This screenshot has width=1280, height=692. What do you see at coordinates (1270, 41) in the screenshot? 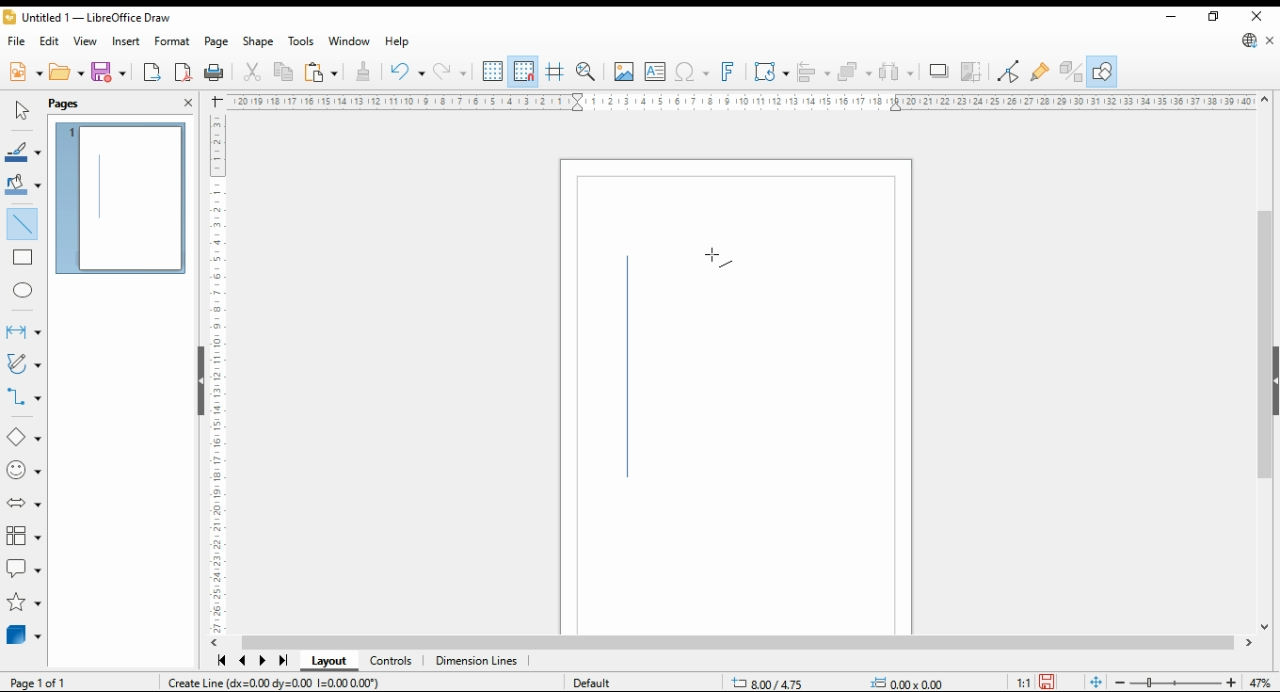
I see `close document` at bounding box center [1270, 41].